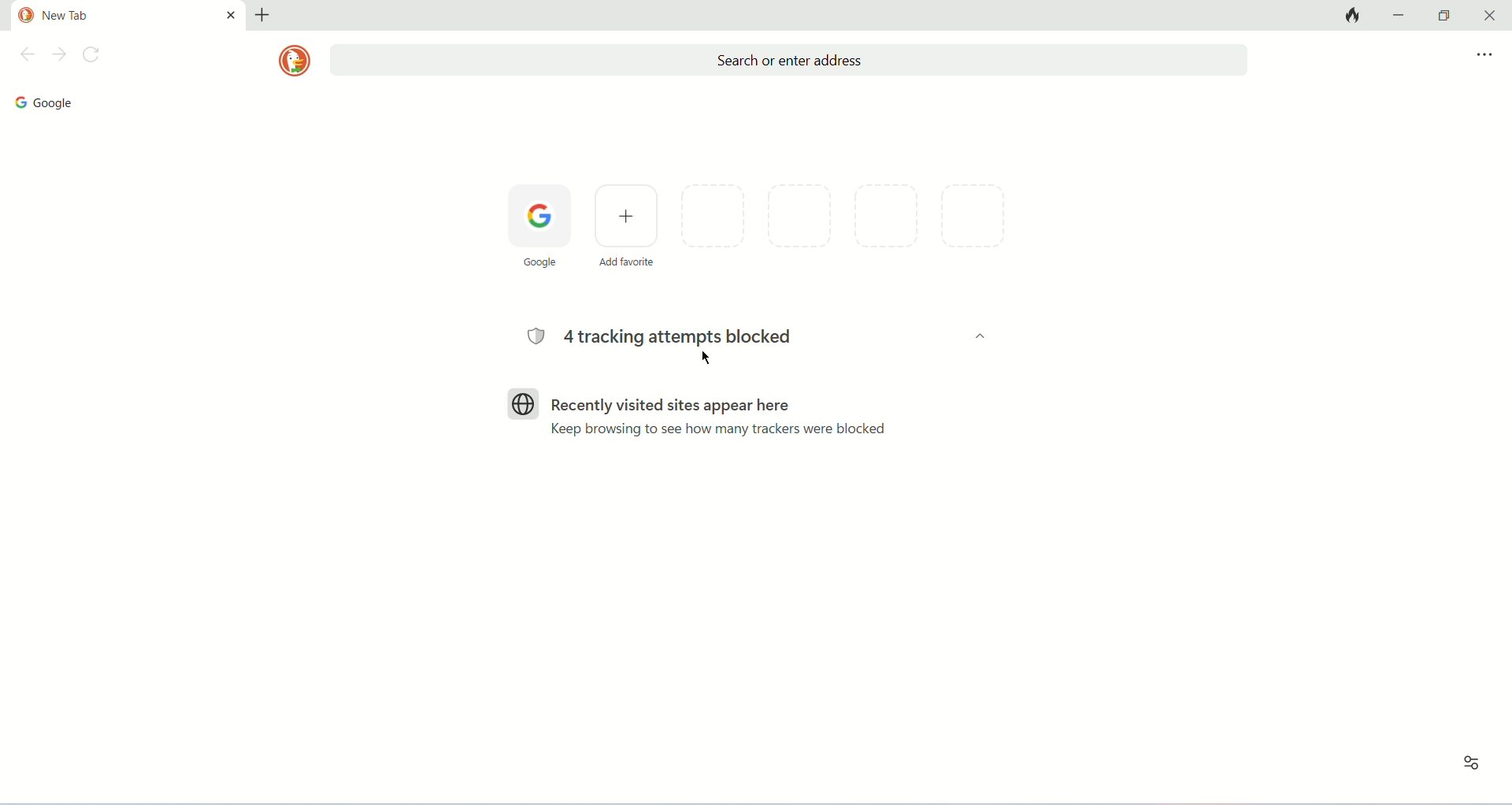 The width and height of the screenshot is (1512, 805). Describe the element at coordinates (656, 336) in the screenshot. I see `4 tracking attempts blocked` at that location.